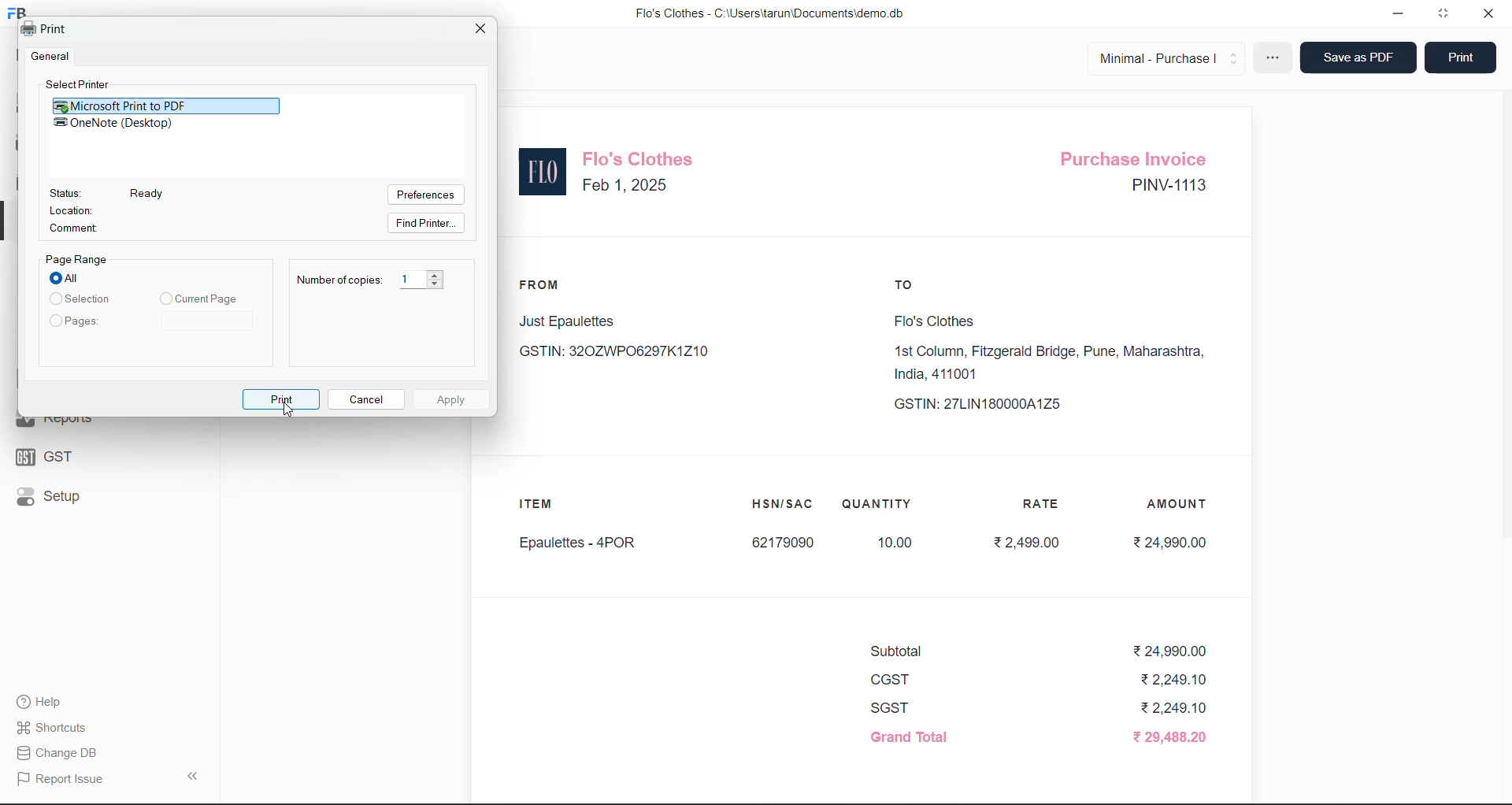 This screenshot has width=1512, height=805. Describe the element at coordinates (1445, 13) in the screenshot. I see `window mode` at that location.